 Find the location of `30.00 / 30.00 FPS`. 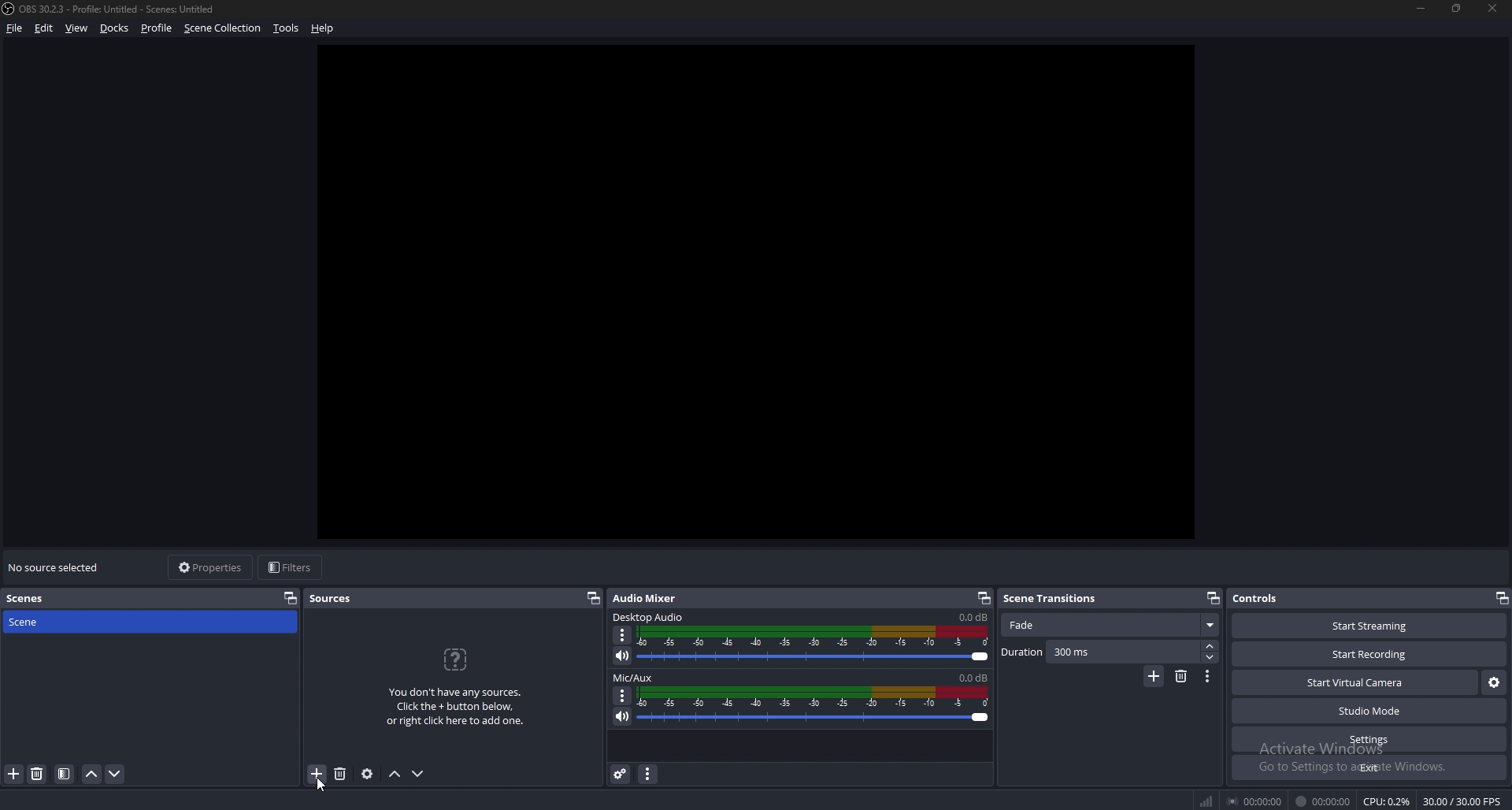

30.00 / 30.00 FPS is located at coordinates (1462, 801).